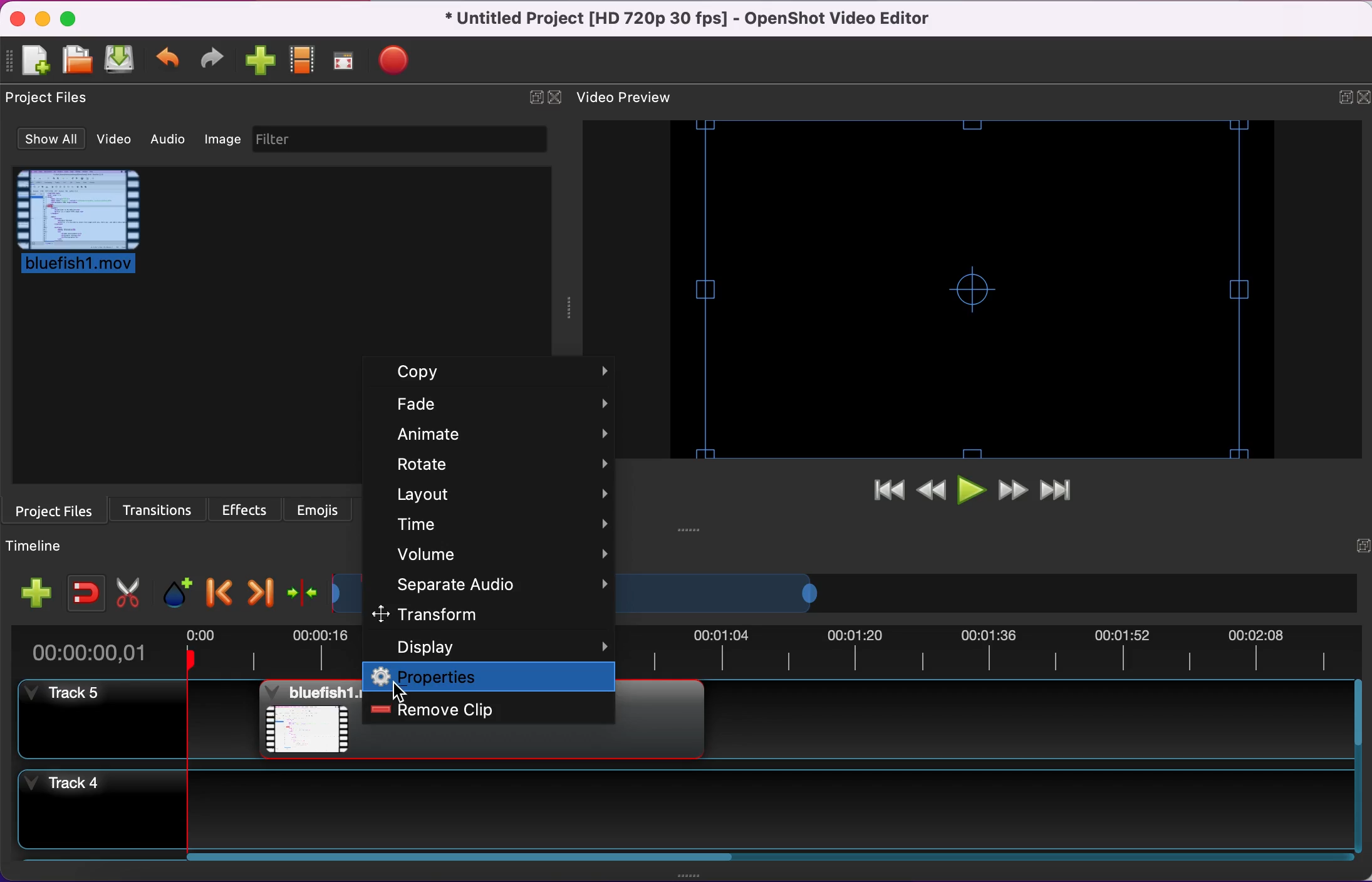 The width and height of the screenshot is (1372, 882). I want to click on redo, so click(212, 60).